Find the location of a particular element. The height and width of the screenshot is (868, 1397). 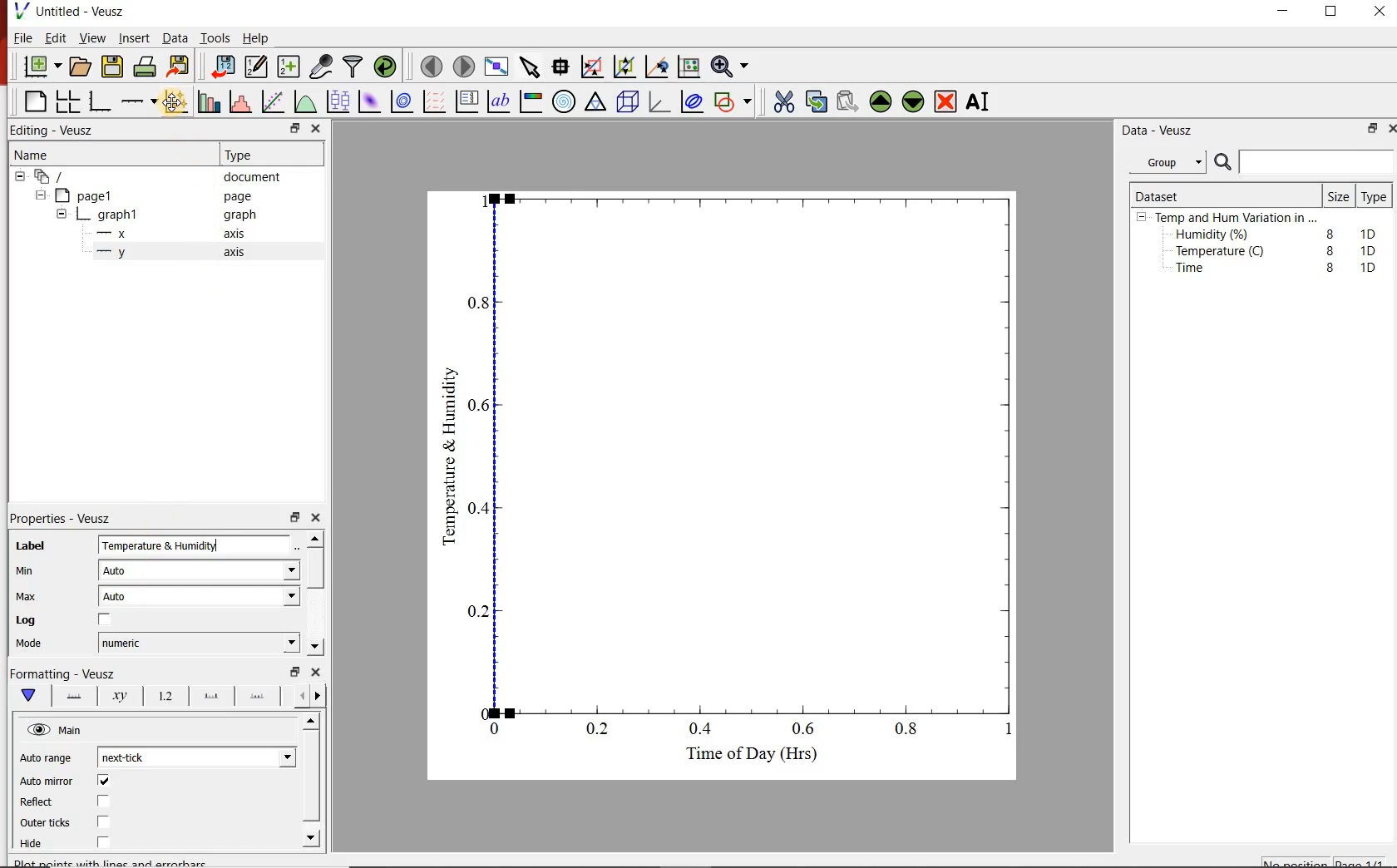

create new datasets using ranges, parametrically or as functions of existing datasets is located at coordinates (289, 67).